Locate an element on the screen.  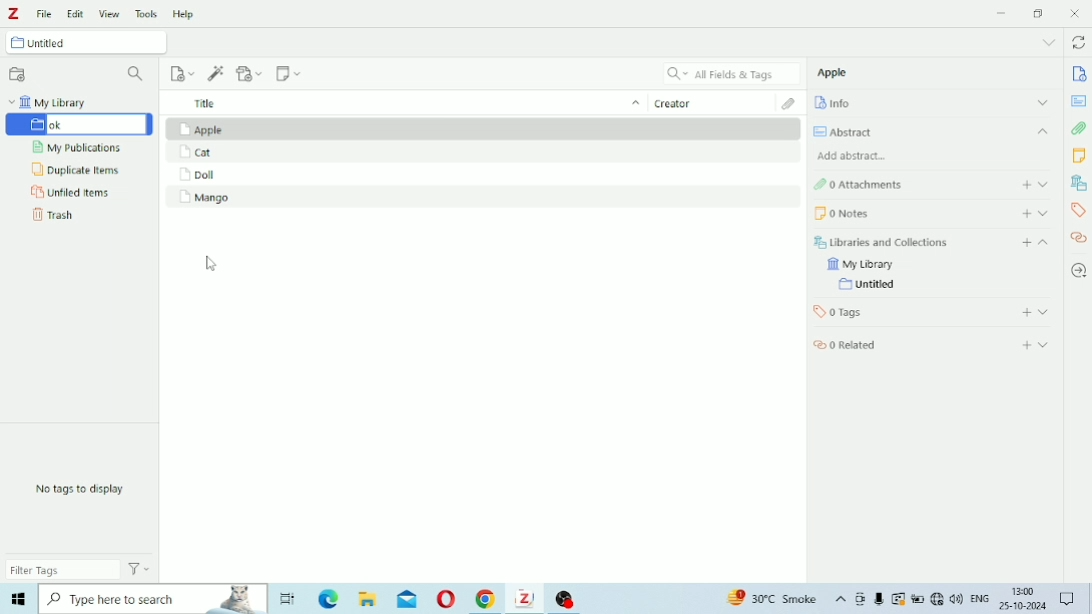
 is located at coordinates (908, 599).